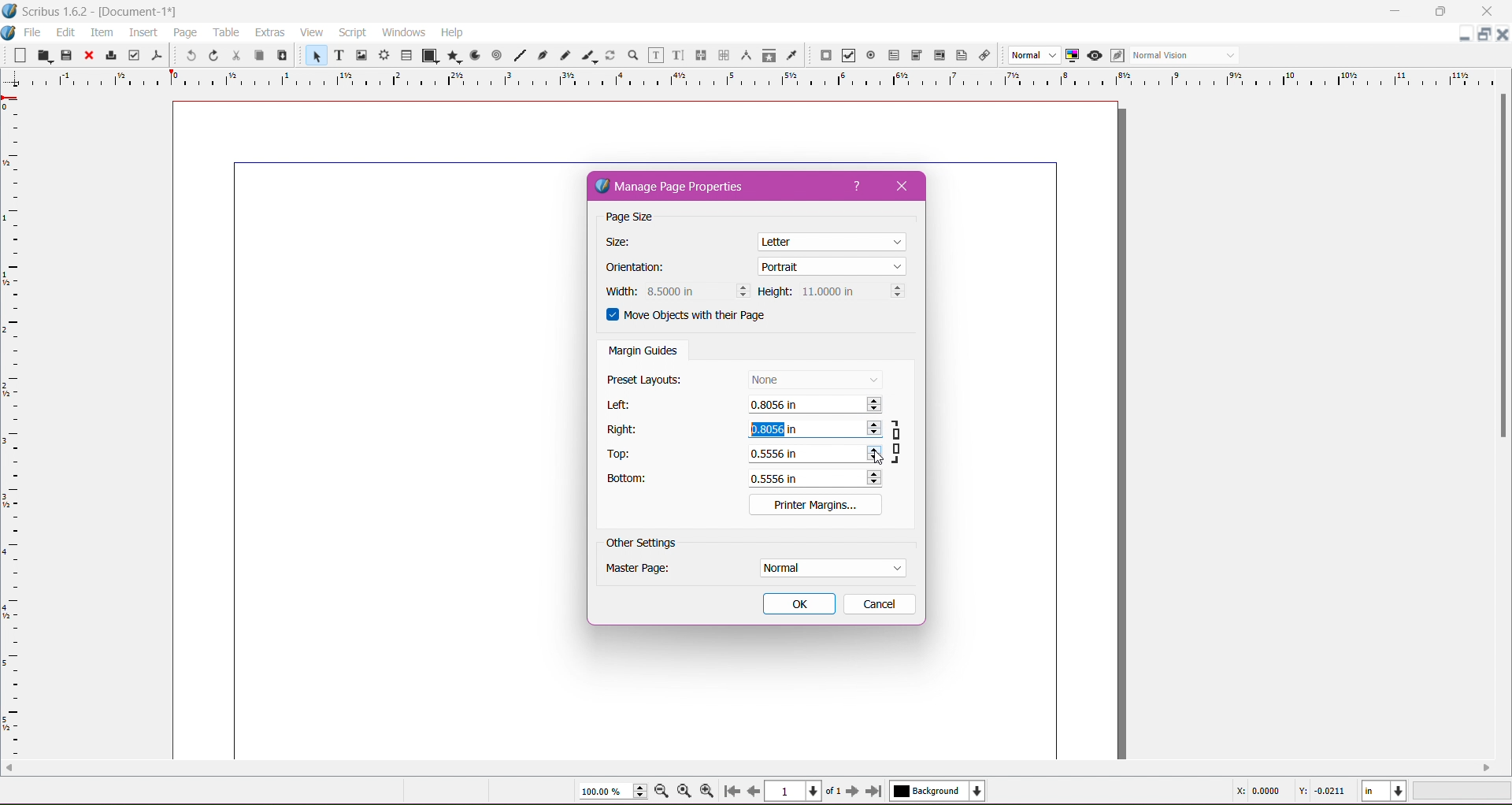 The height and width of the screenshot is (805, 1512). I want to click on Save, so click(67, 54).